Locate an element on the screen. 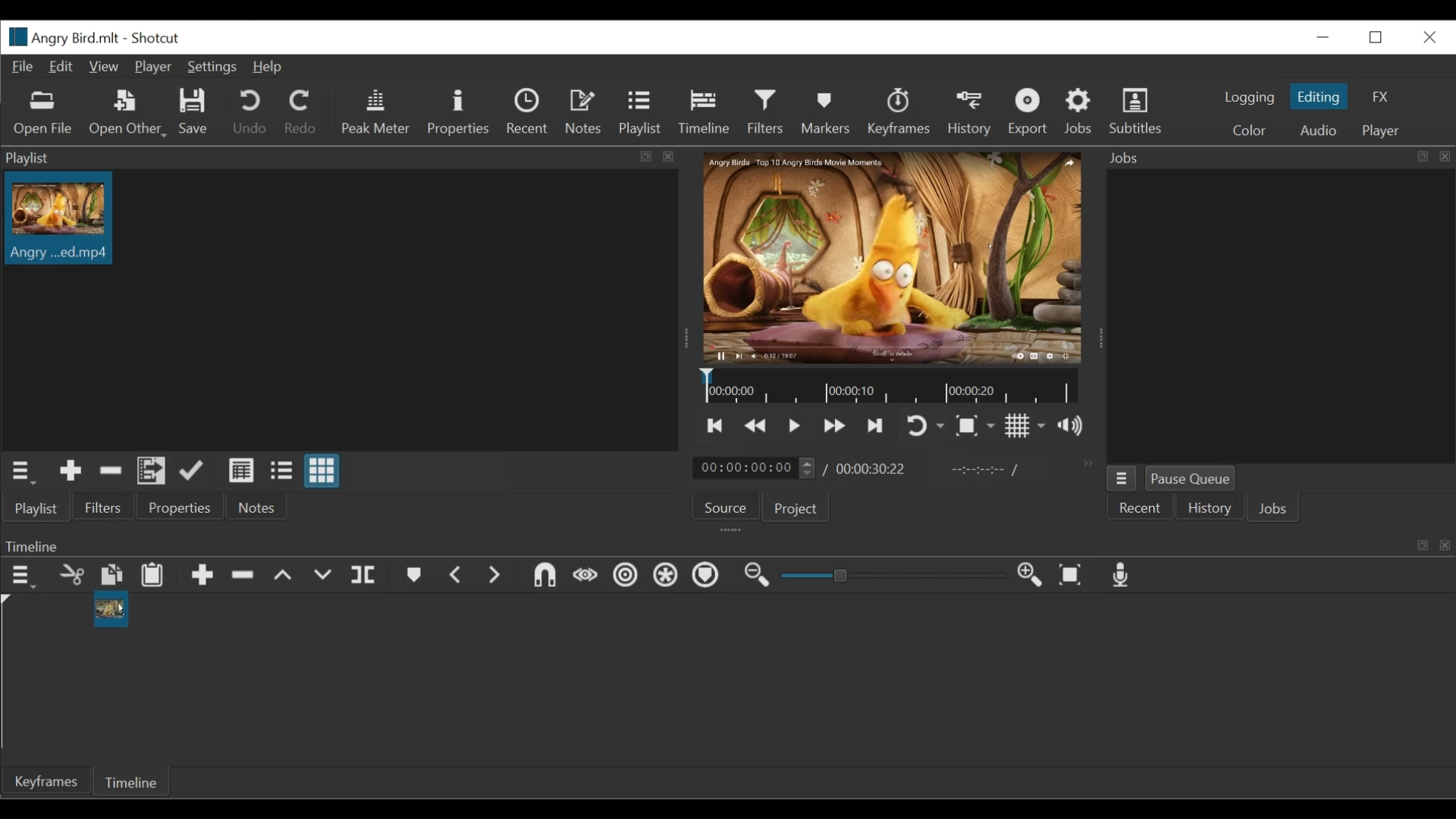 This screenshot has height=819, width=1456. Toggle play or pause (space) is located at coordinates (794, 426).